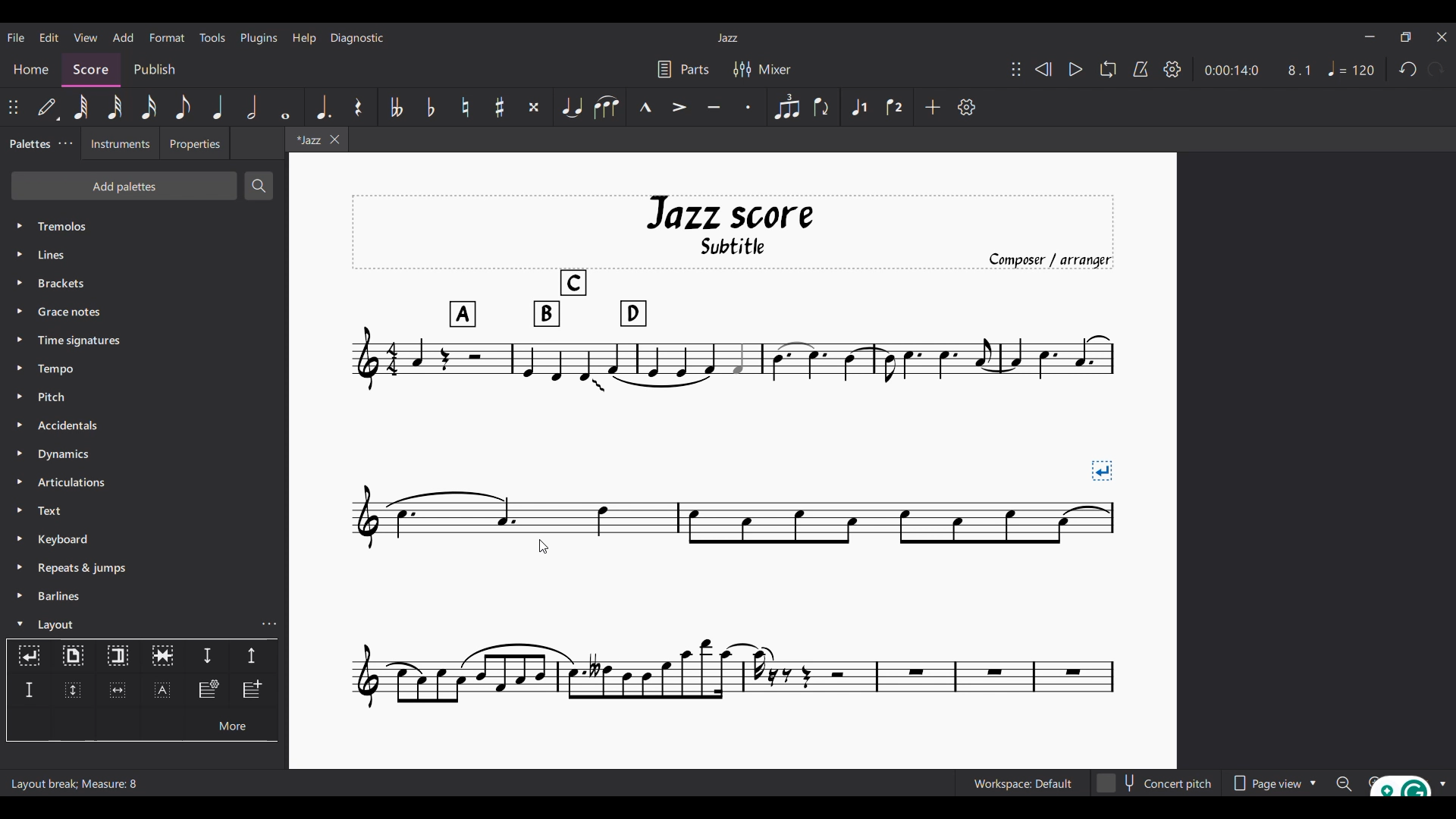 This screenshot has height=819, width=1456. Describe the element at coordinates (727, 38) in the screenshot. I see `Jazz` at that location.